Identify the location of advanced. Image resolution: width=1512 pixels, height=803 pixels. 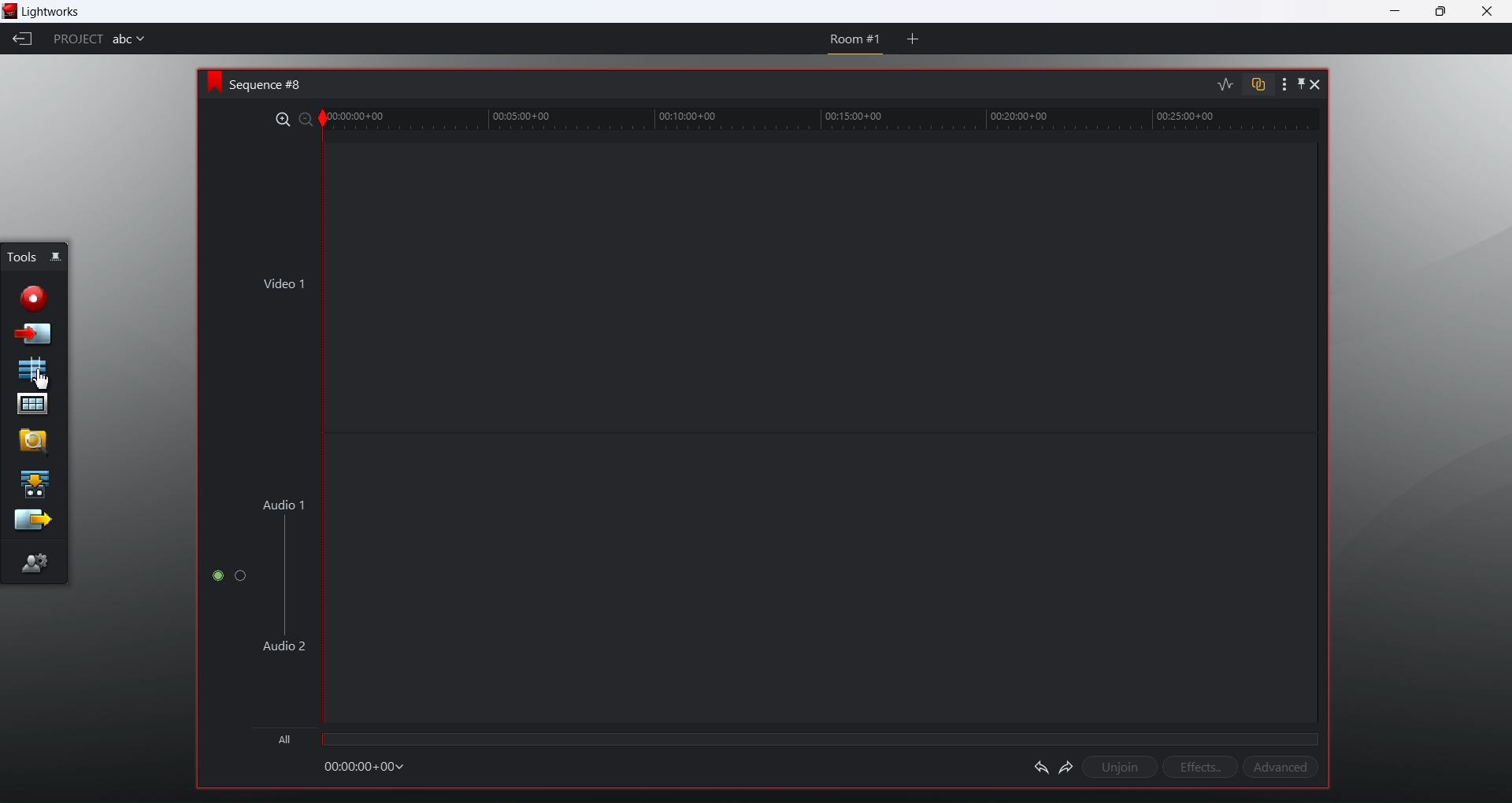
(1283, 768).